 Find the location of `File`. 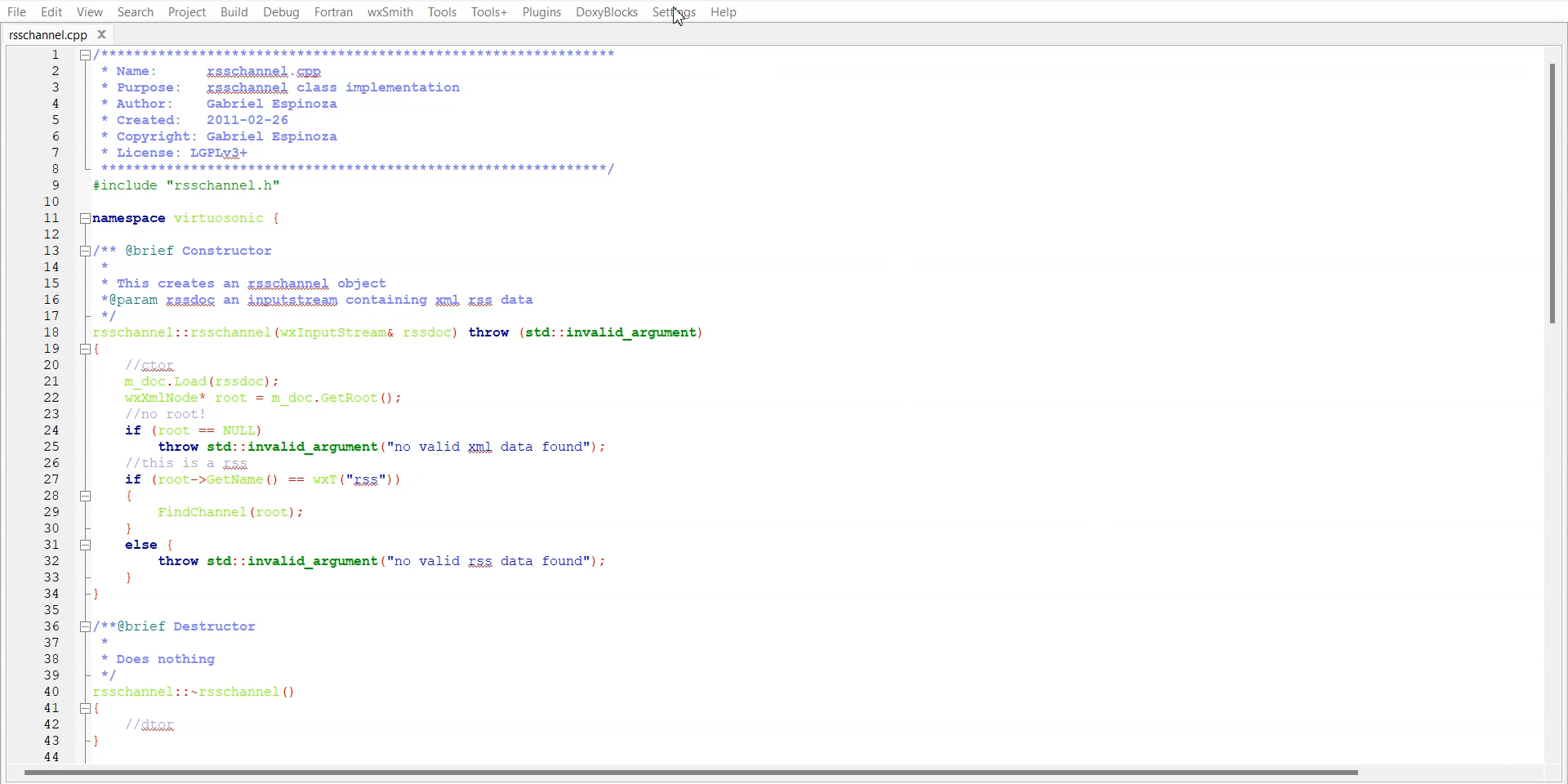

File is located at coordinates (17, 11).